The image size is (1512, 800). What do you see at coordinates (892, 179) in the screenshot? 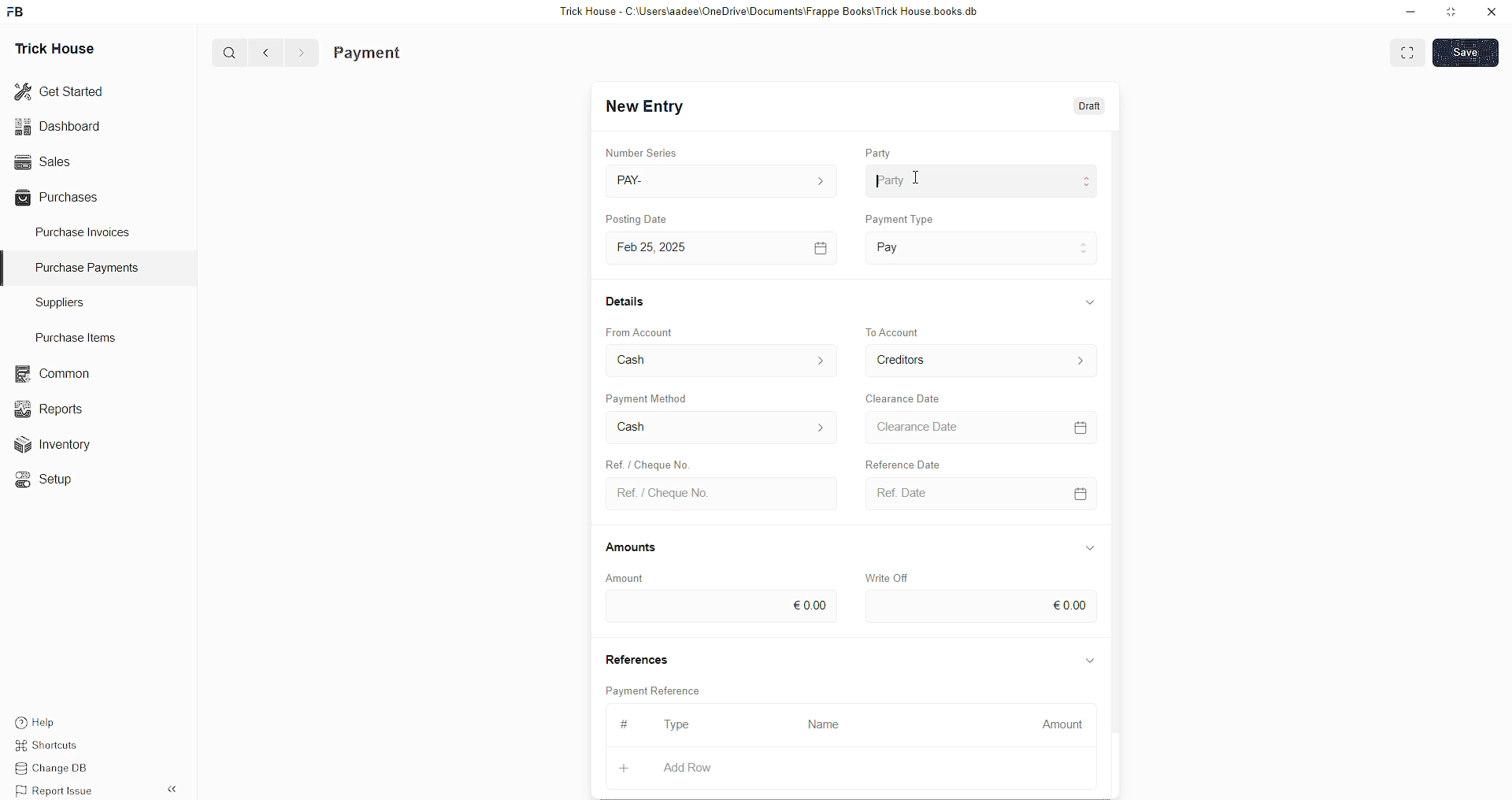
I see `Party` at bounding box center [892, 179].